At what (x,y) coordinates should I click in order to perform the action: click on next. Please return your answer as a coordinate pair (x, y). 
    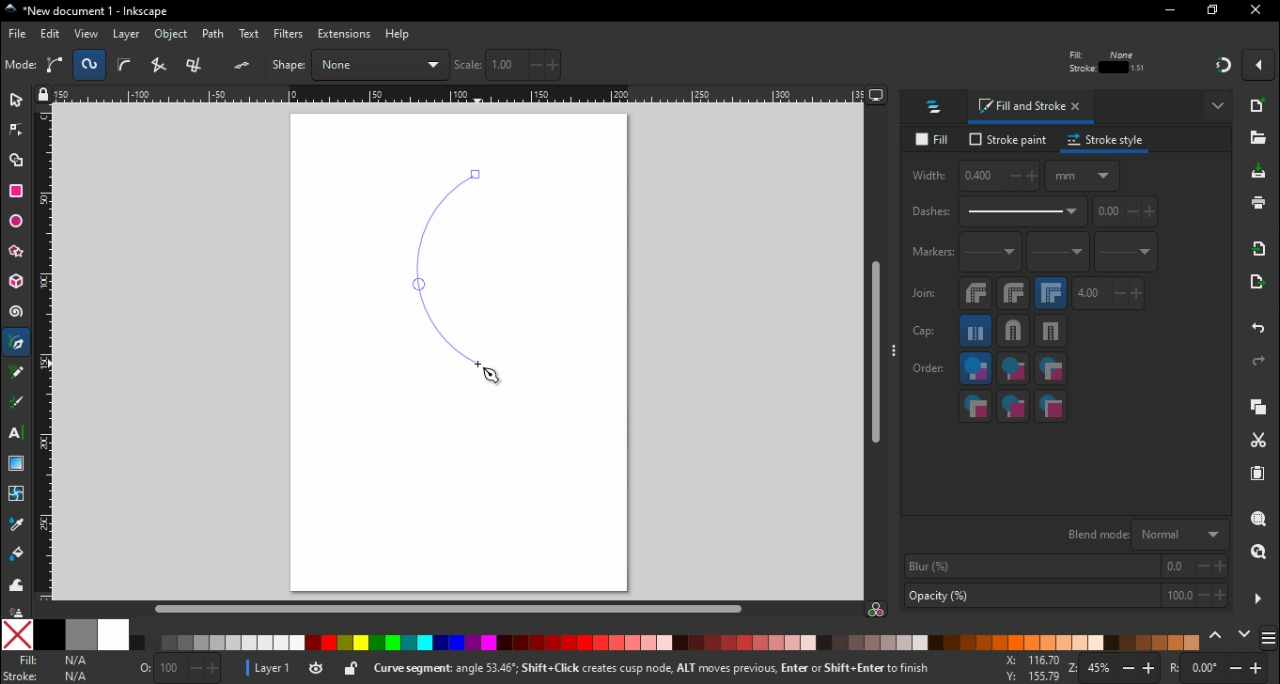
    Looking at the image, I should click on (1245, 634).